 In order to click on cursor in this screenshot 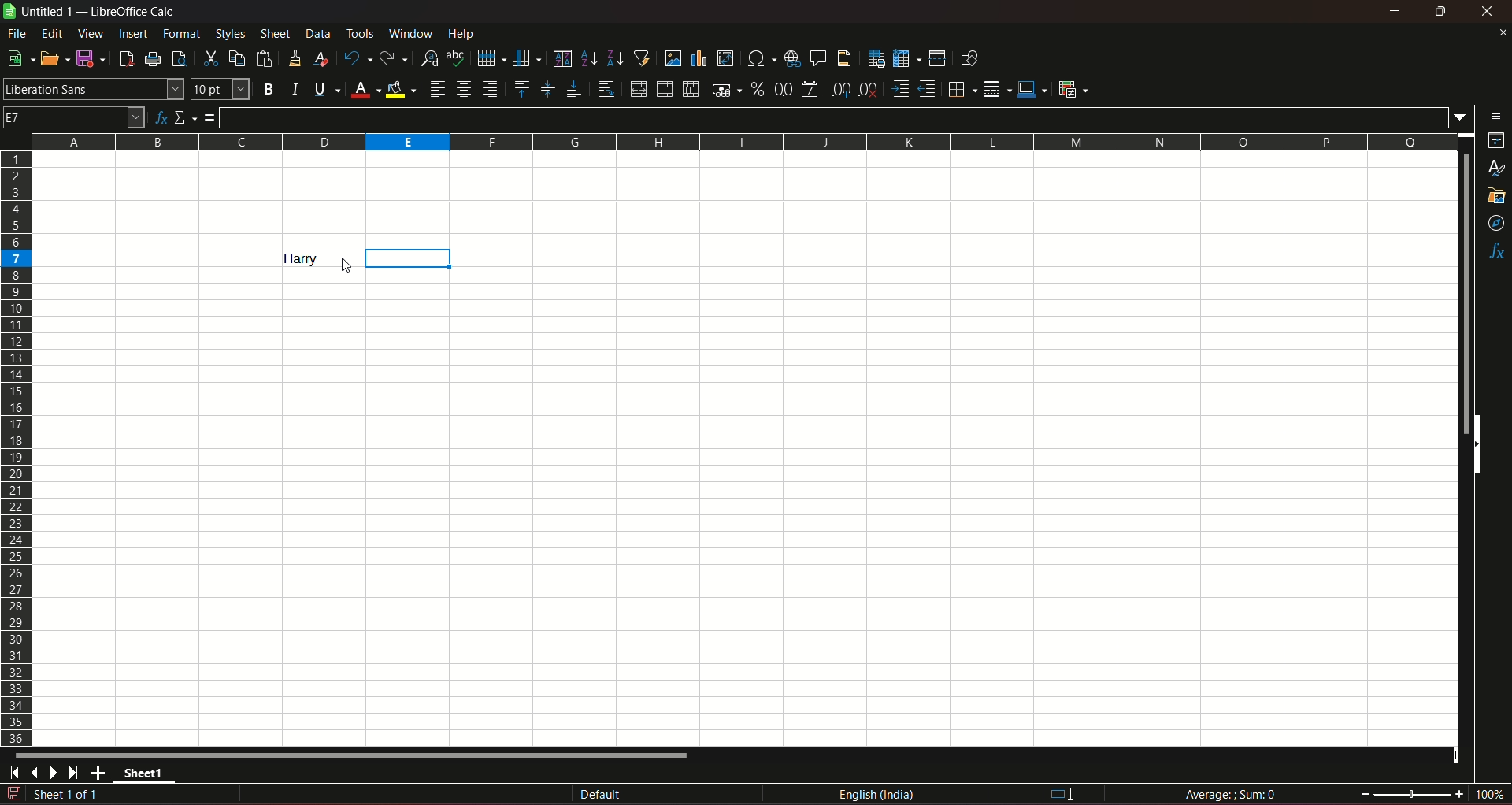, I will do `click(346, 266)`.